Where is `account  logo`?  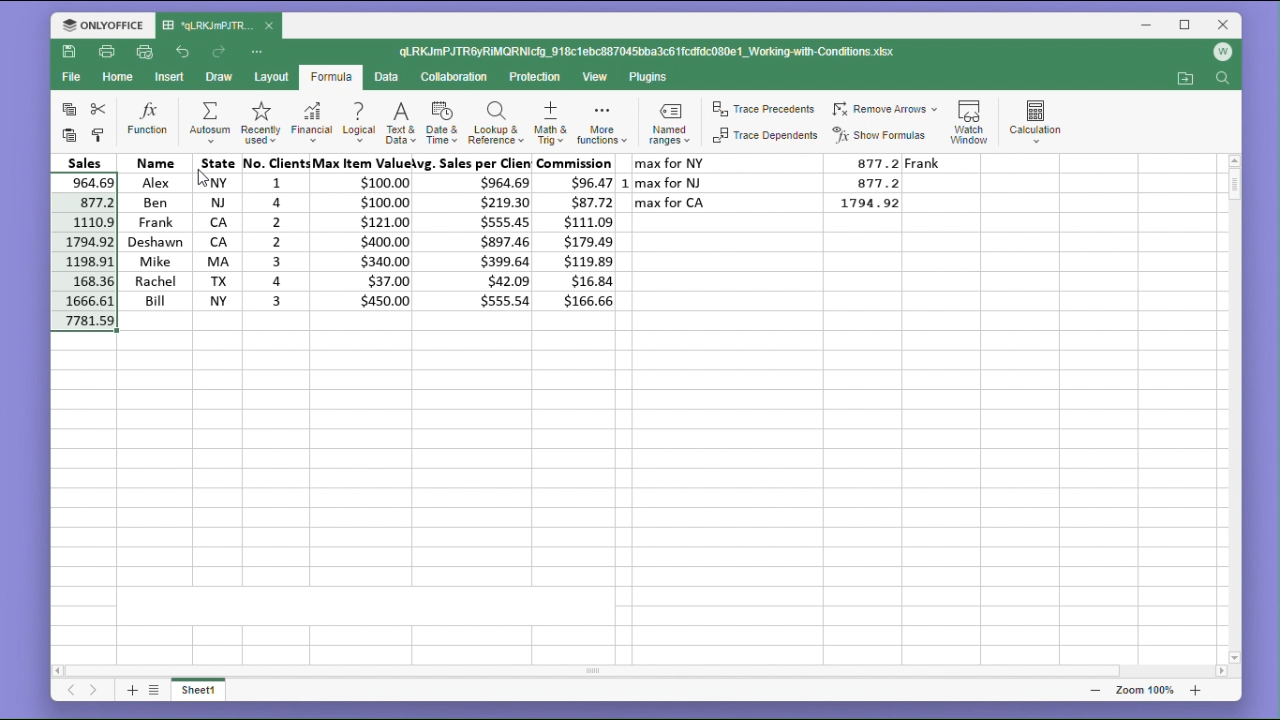
account  logo is located at coordinates (1226, 53).